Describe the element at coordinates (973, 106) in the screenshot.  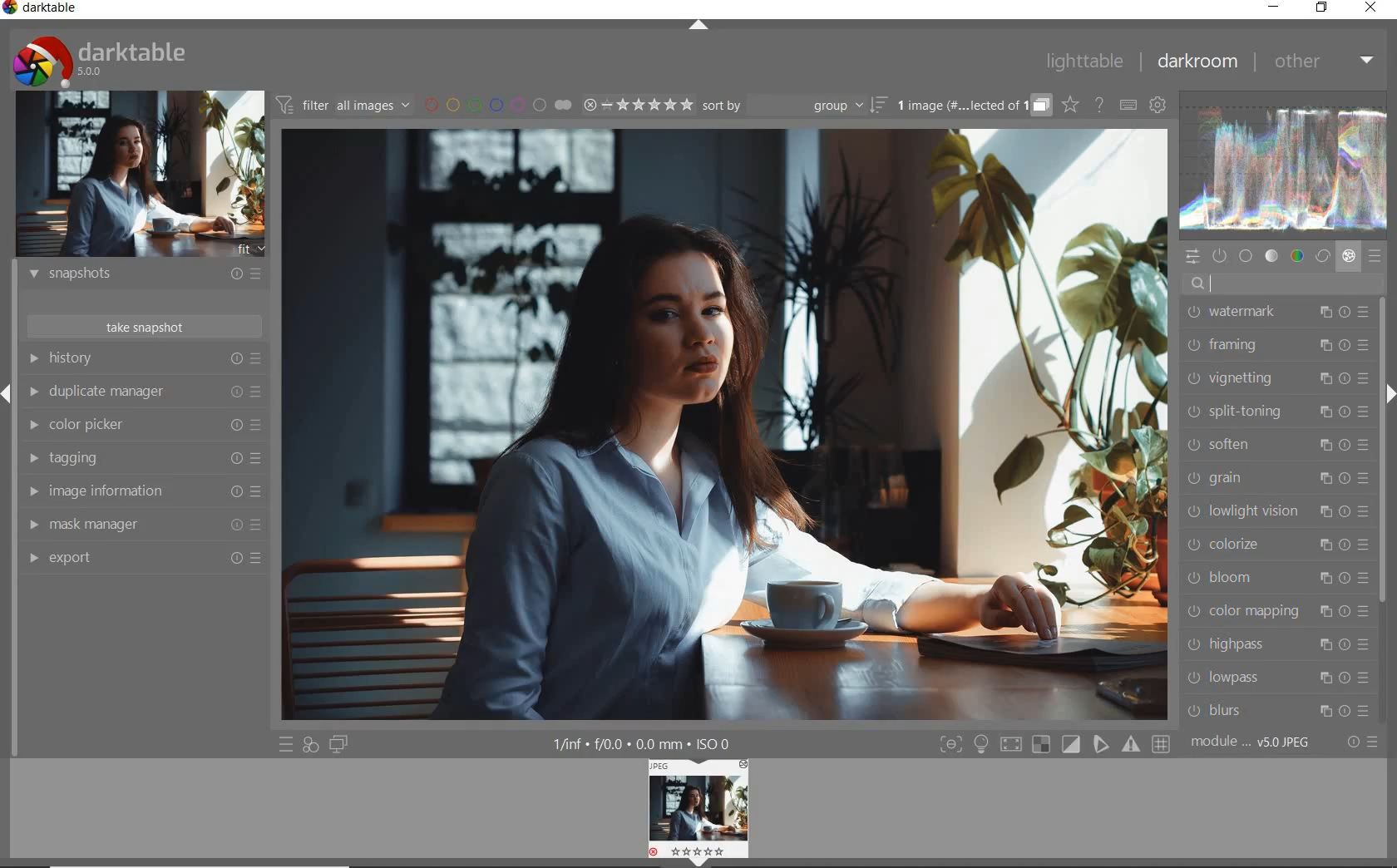
I see `grouped images` at that location.